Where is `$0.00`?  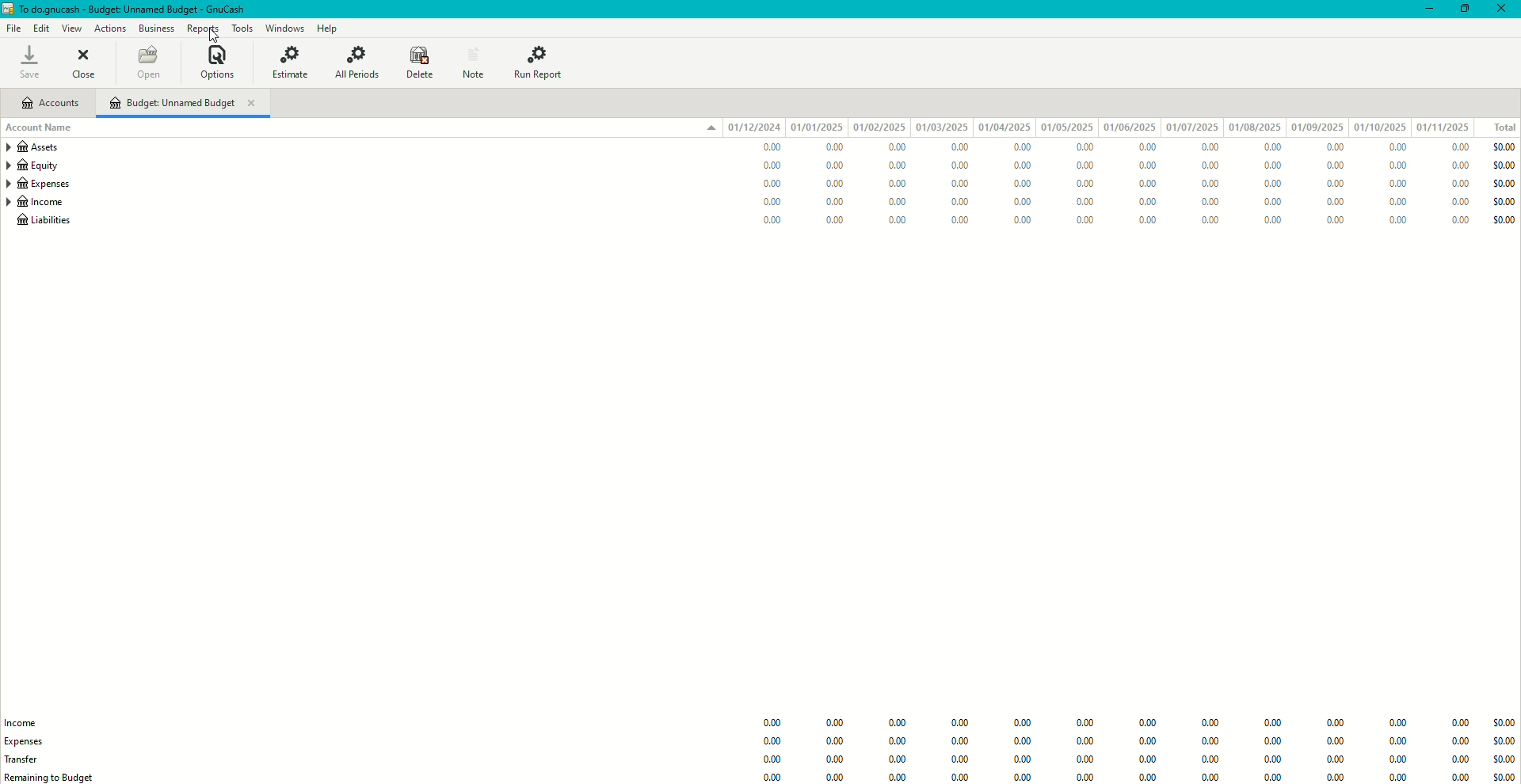
$0.00 is located at coordinates (1500, 760).